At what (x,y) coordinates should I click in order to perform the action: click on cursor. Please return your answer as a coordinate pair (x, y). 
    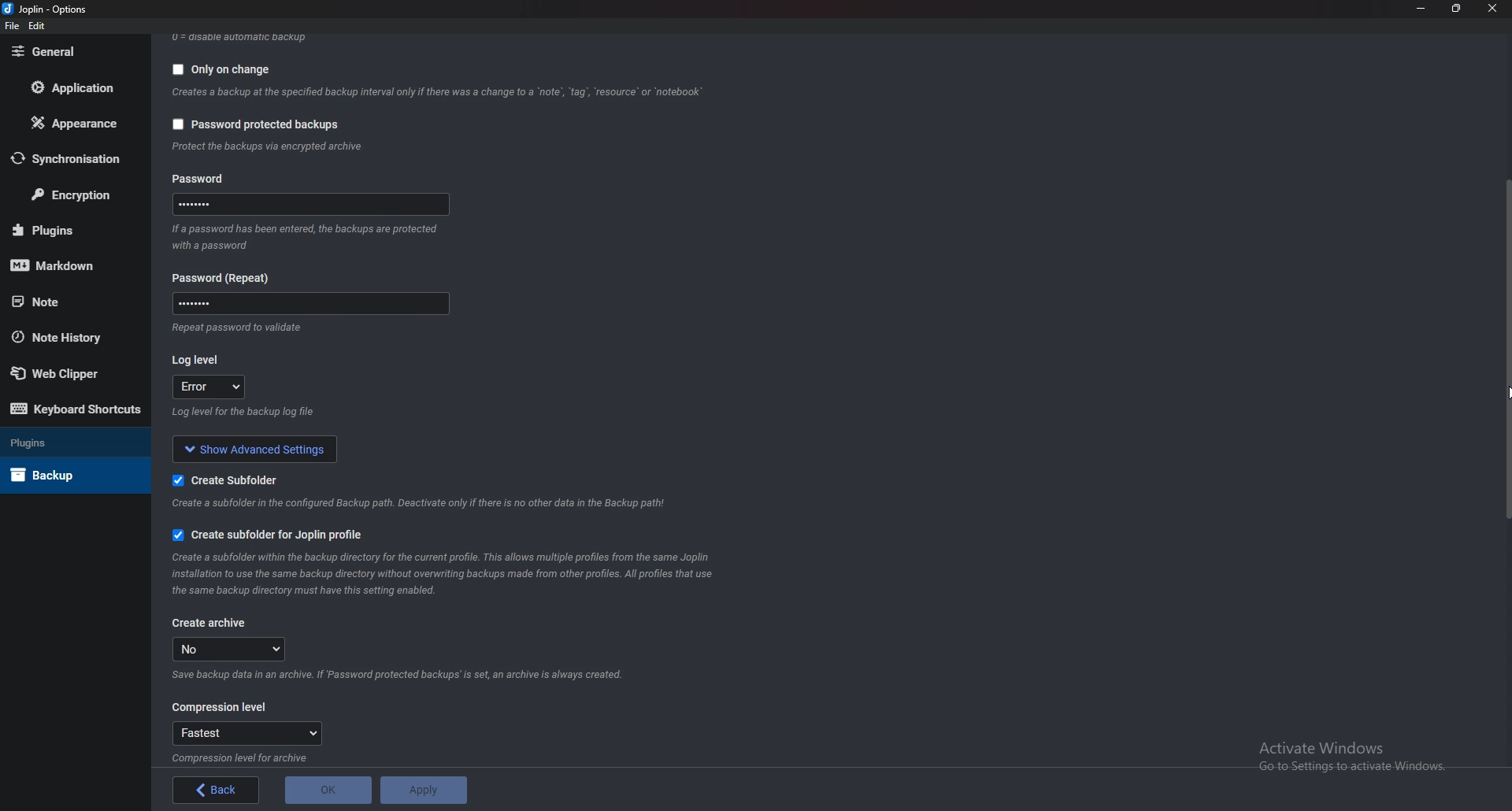
    Looking at the image, I should click on (1507, 391).